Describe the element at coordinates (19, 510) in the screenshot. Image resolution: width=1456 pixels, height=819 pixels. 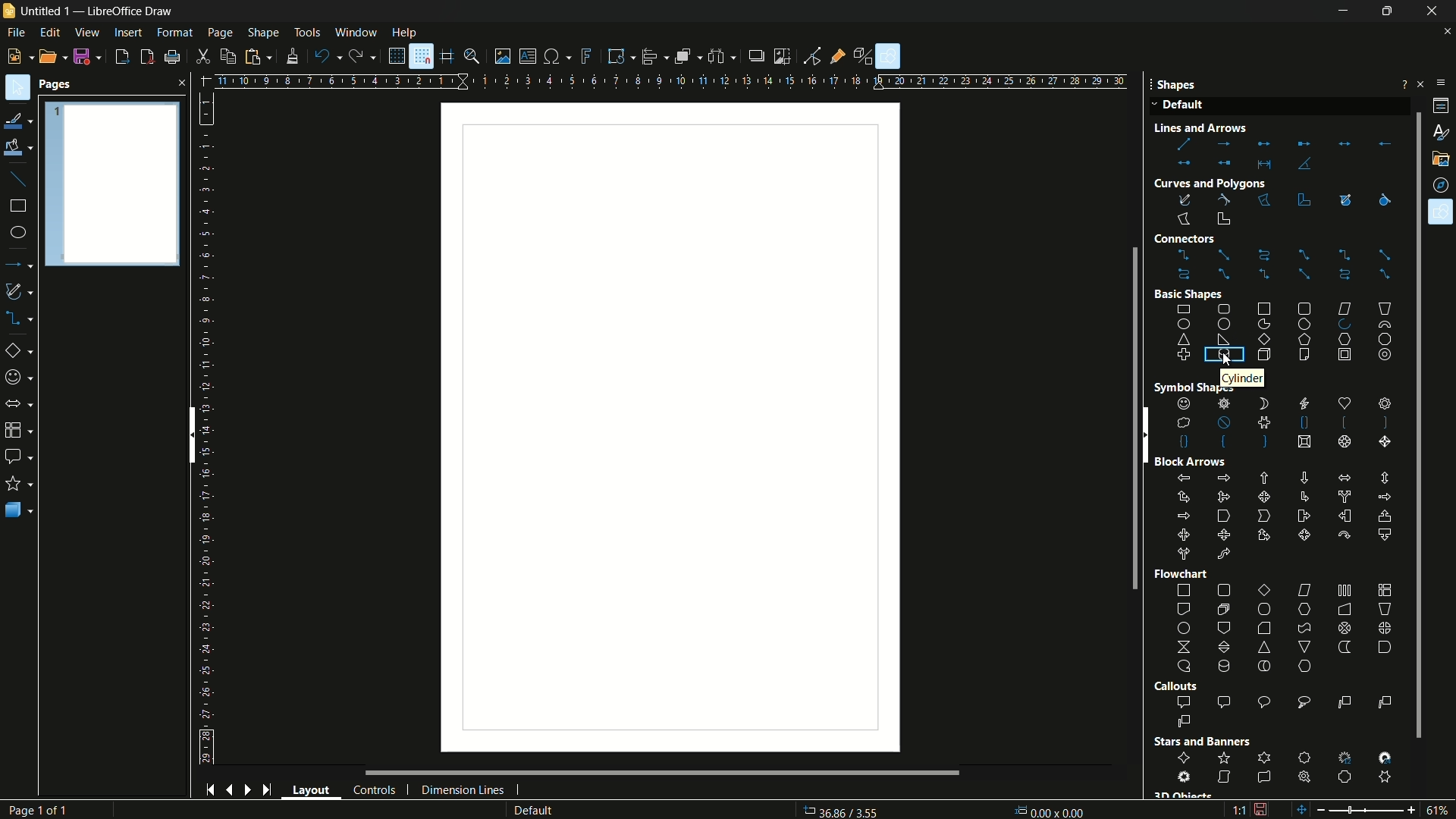
I see `3D objects` at that location.